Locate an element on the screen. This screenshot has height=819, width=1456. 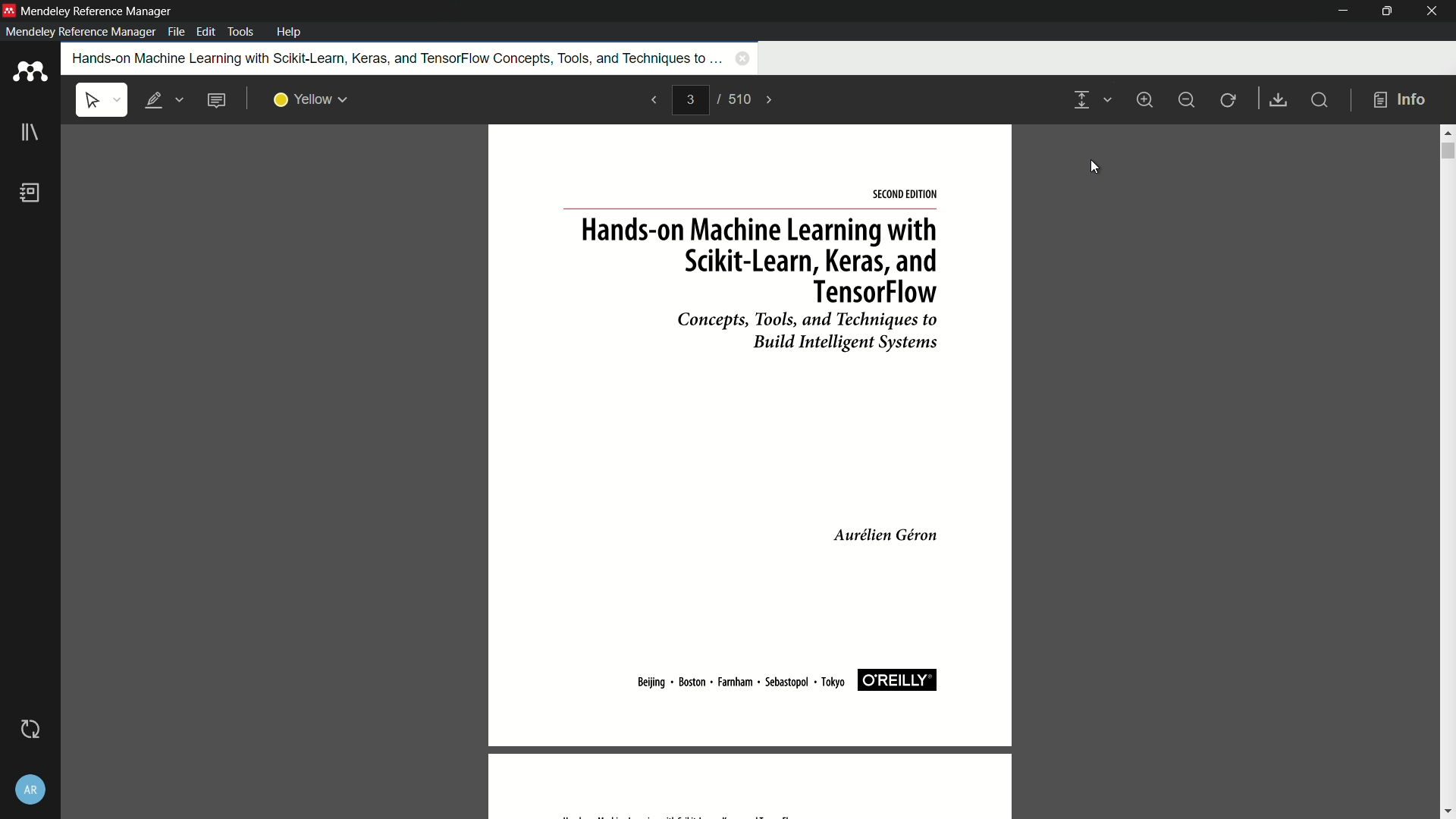
find is located at coordinates (1318, 99).